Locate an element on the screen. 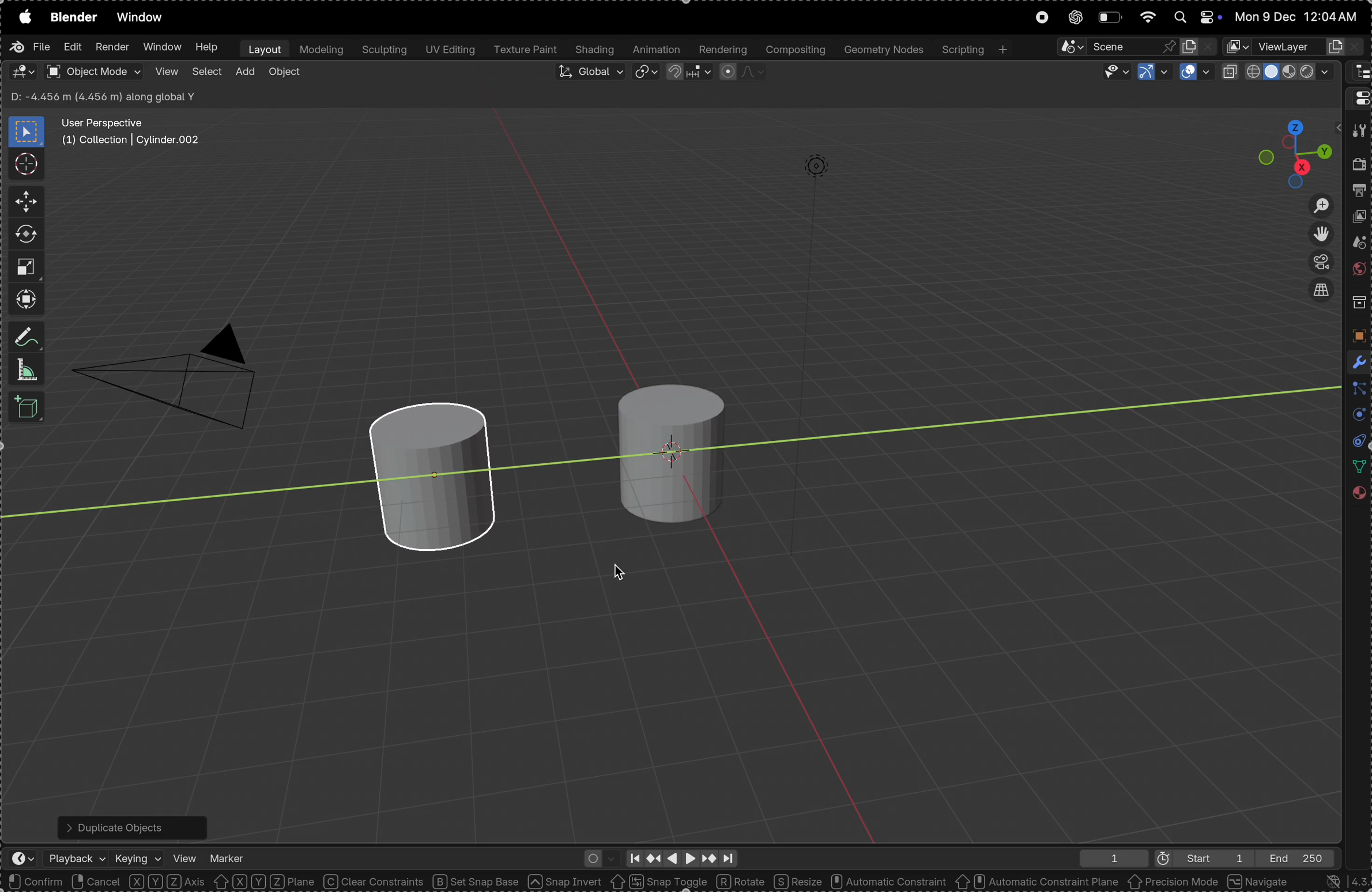 The image size is (1372, 892). scene is located at coordinates (1356, 245).